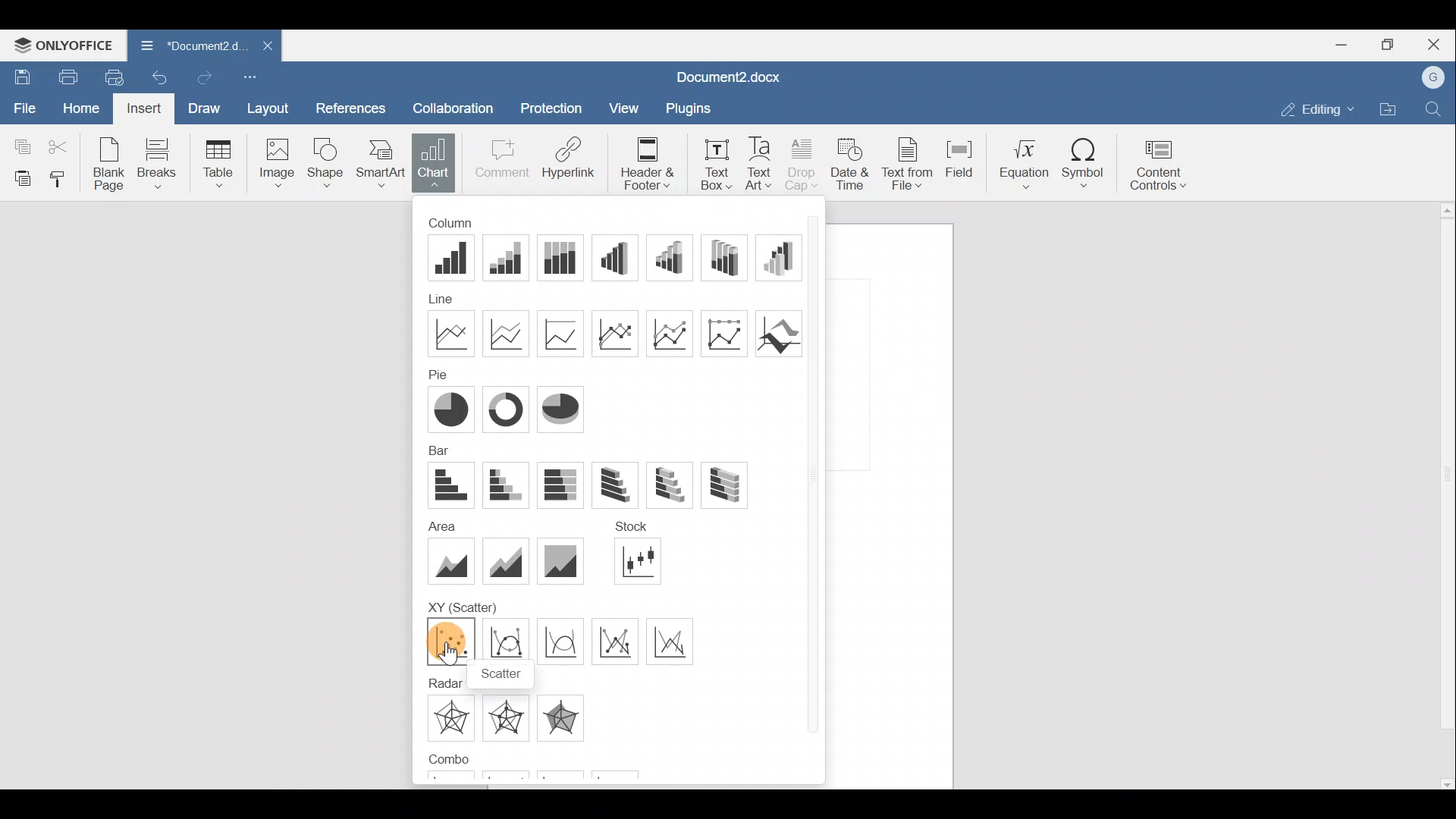  I want to click on Content controls, so click(1163, 165).